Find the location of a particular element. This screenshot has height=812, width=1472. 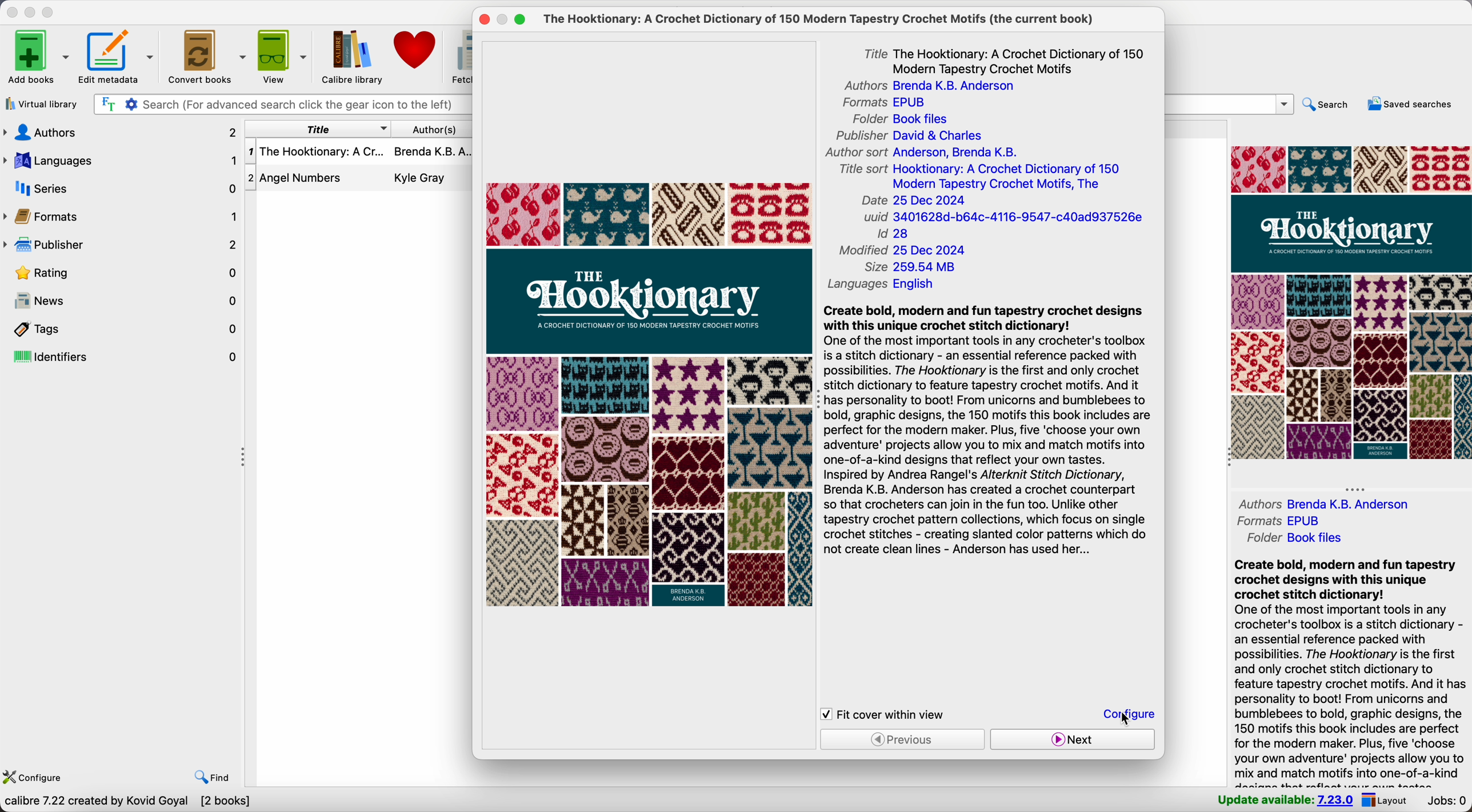

update available is located at coordinates (1285, 798).